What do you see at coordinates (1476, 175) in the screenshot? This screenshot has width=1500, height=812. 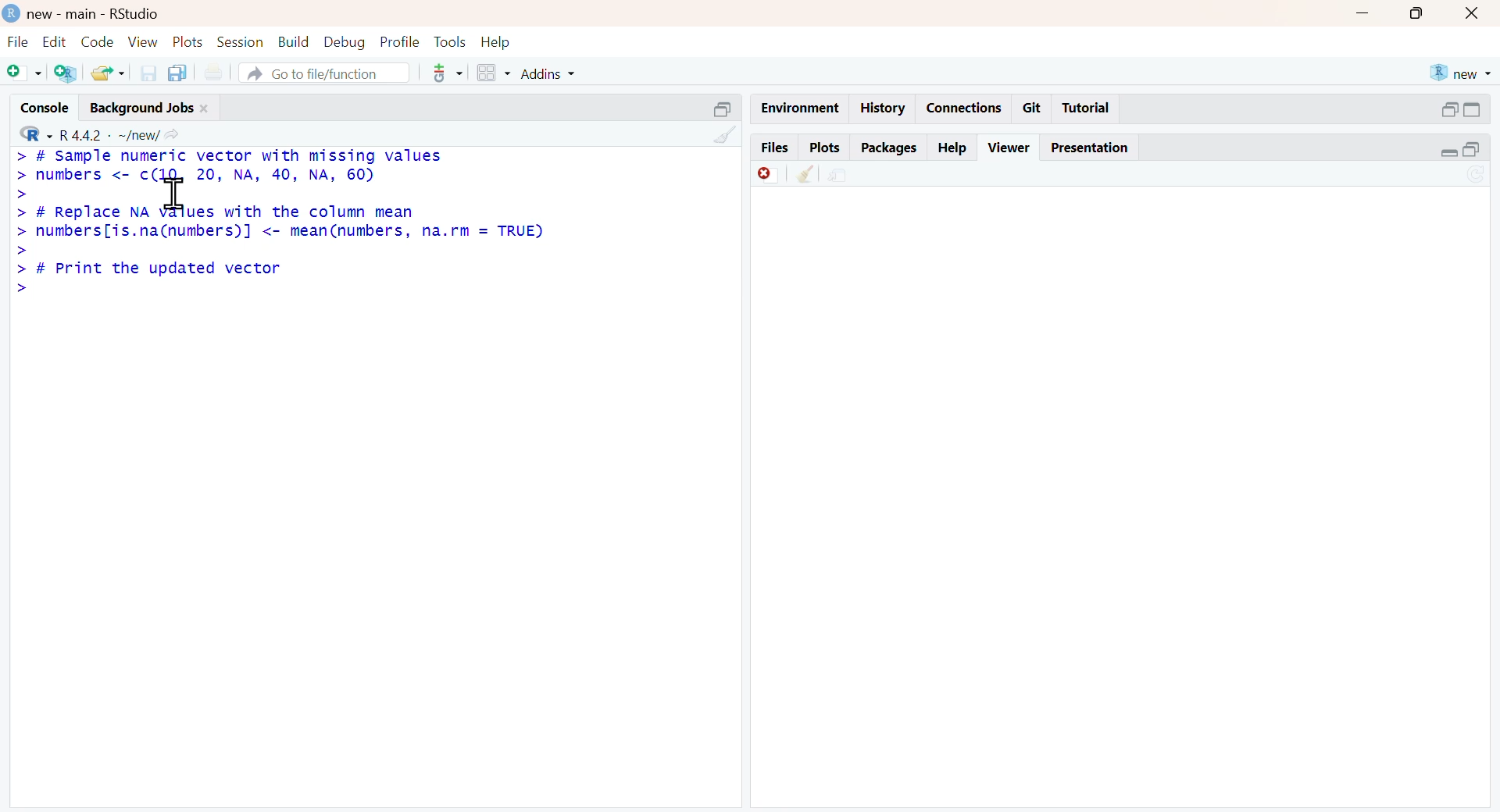 I see `sync` at bounding box center [1476, 175].